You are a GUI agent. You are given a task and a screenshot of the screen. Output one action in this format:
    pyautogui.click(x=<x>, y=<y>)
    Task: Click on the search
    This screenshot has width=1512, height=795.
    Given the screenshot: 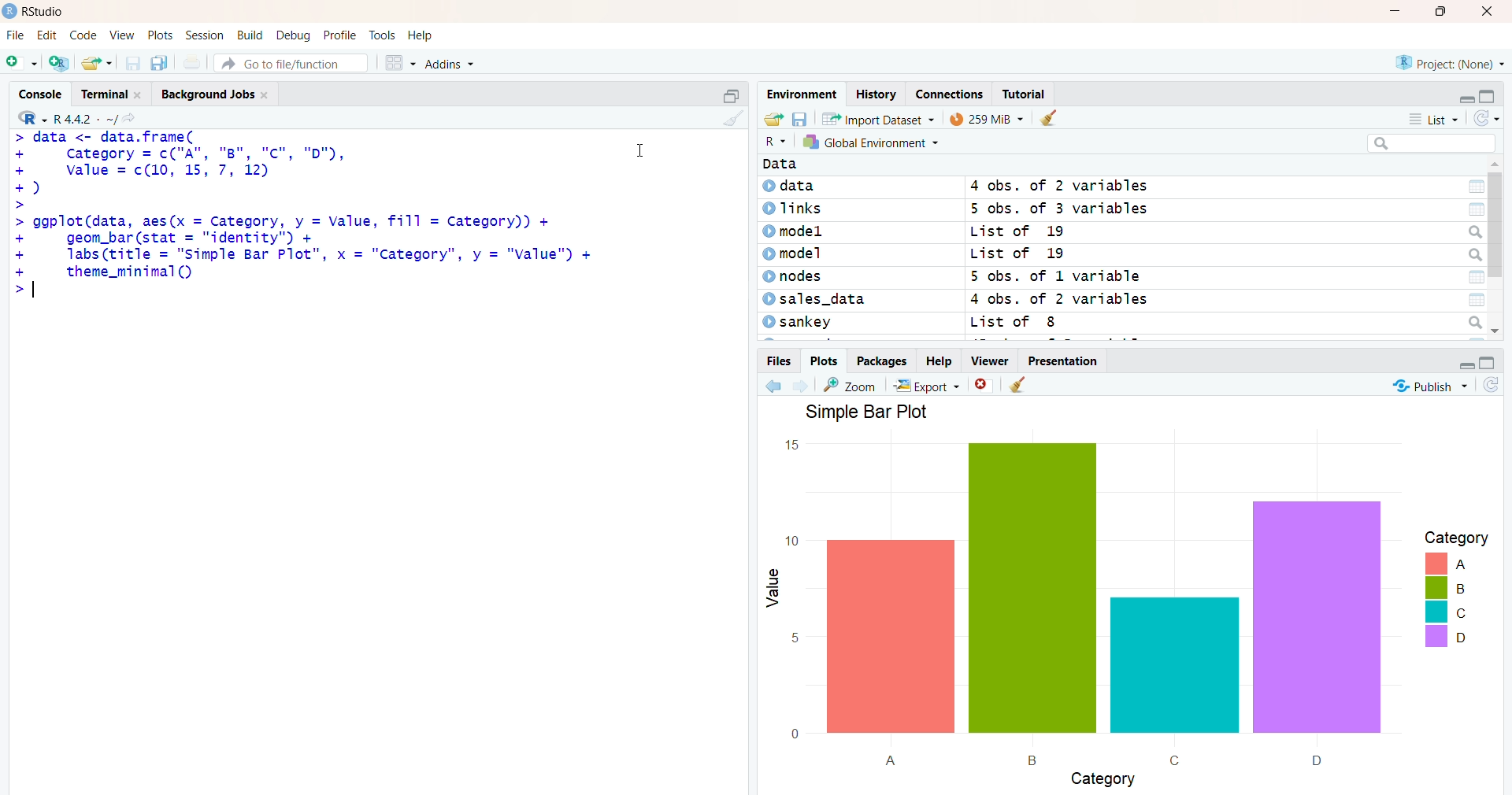 What is the action you would take?
    pyautogui.click(x=1432, y=143)
    